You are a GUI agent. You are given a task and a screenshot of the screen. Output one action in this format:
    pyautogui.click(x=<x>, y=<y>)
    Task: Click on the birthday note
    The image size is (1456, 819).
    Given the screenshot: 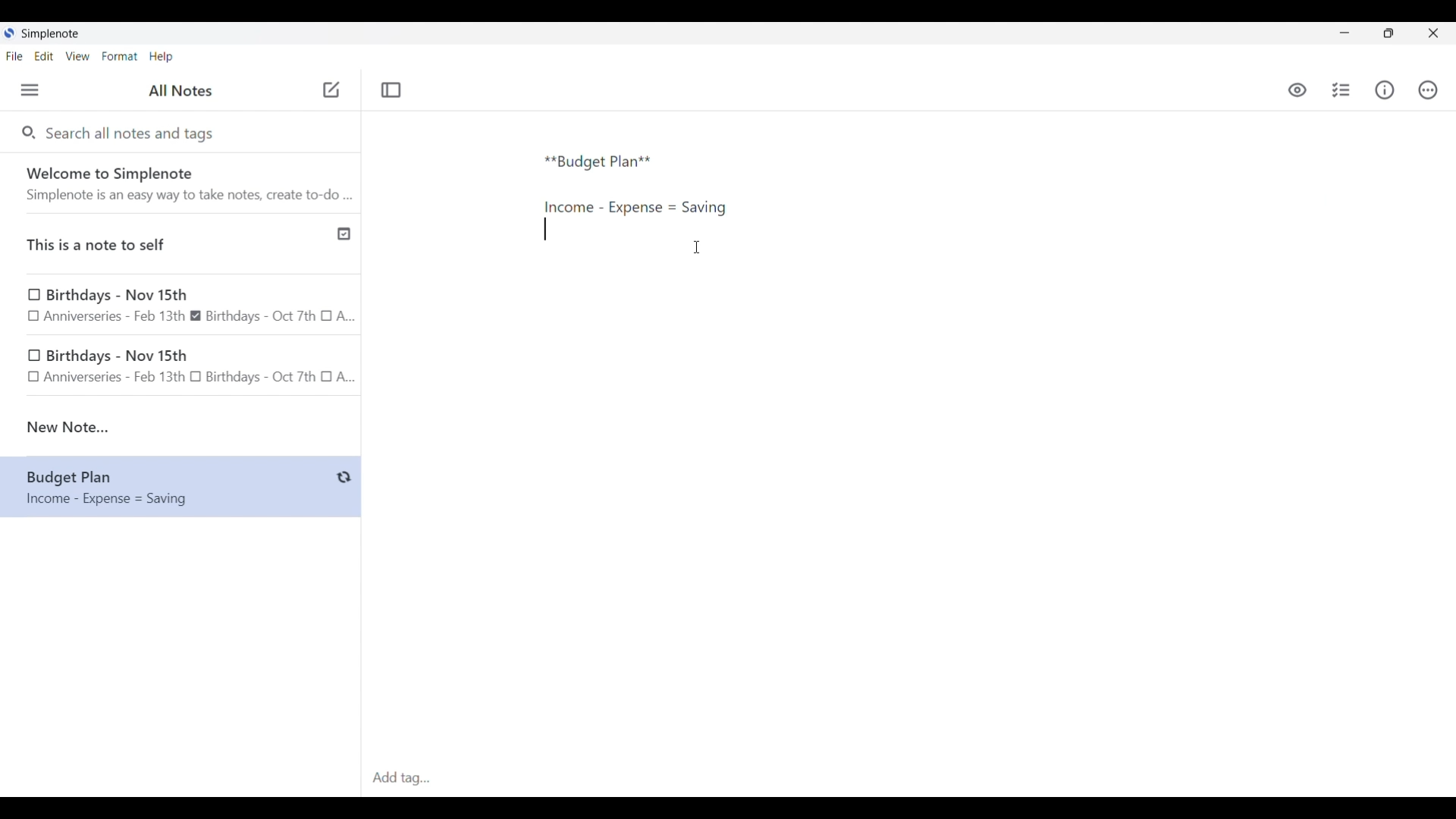 What is the action you would take?
    pyautogui.click(x=182, y=369)
    